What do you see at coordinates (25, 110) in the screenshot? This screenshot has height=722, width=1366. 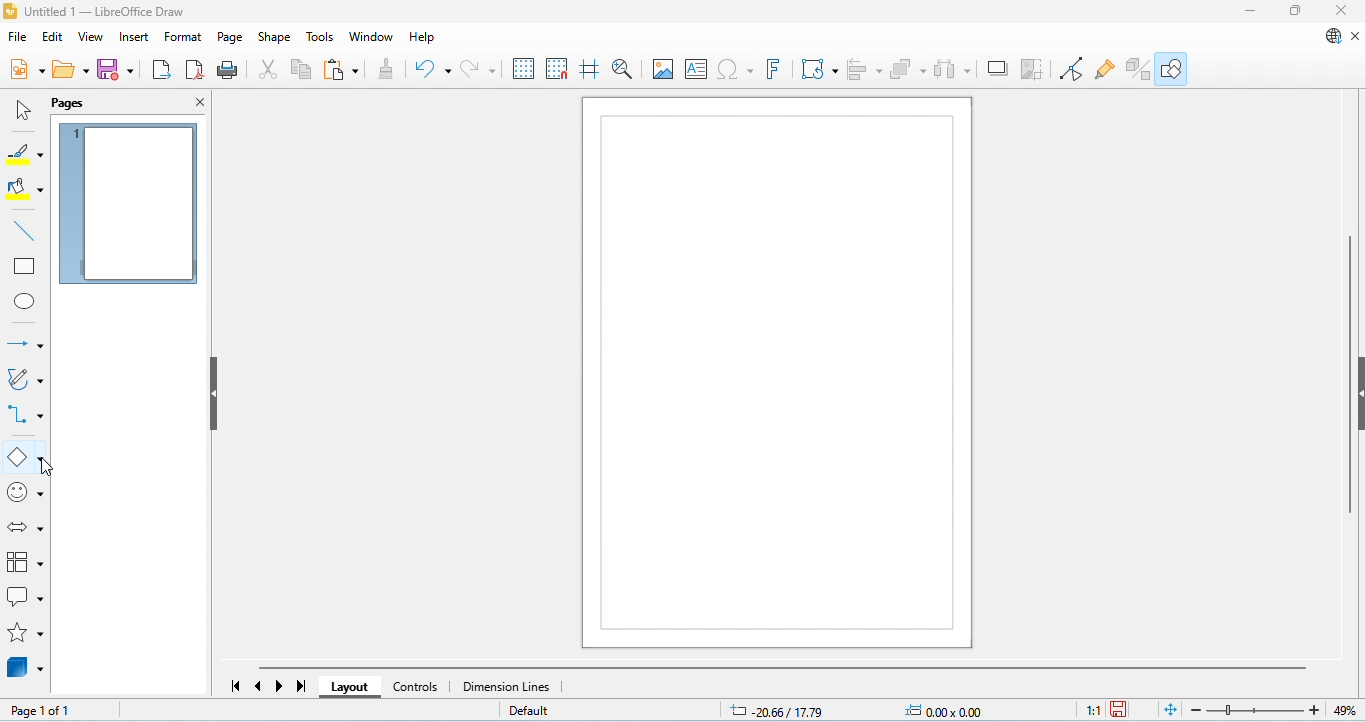 I see `select` at bounding box center [25, 110].